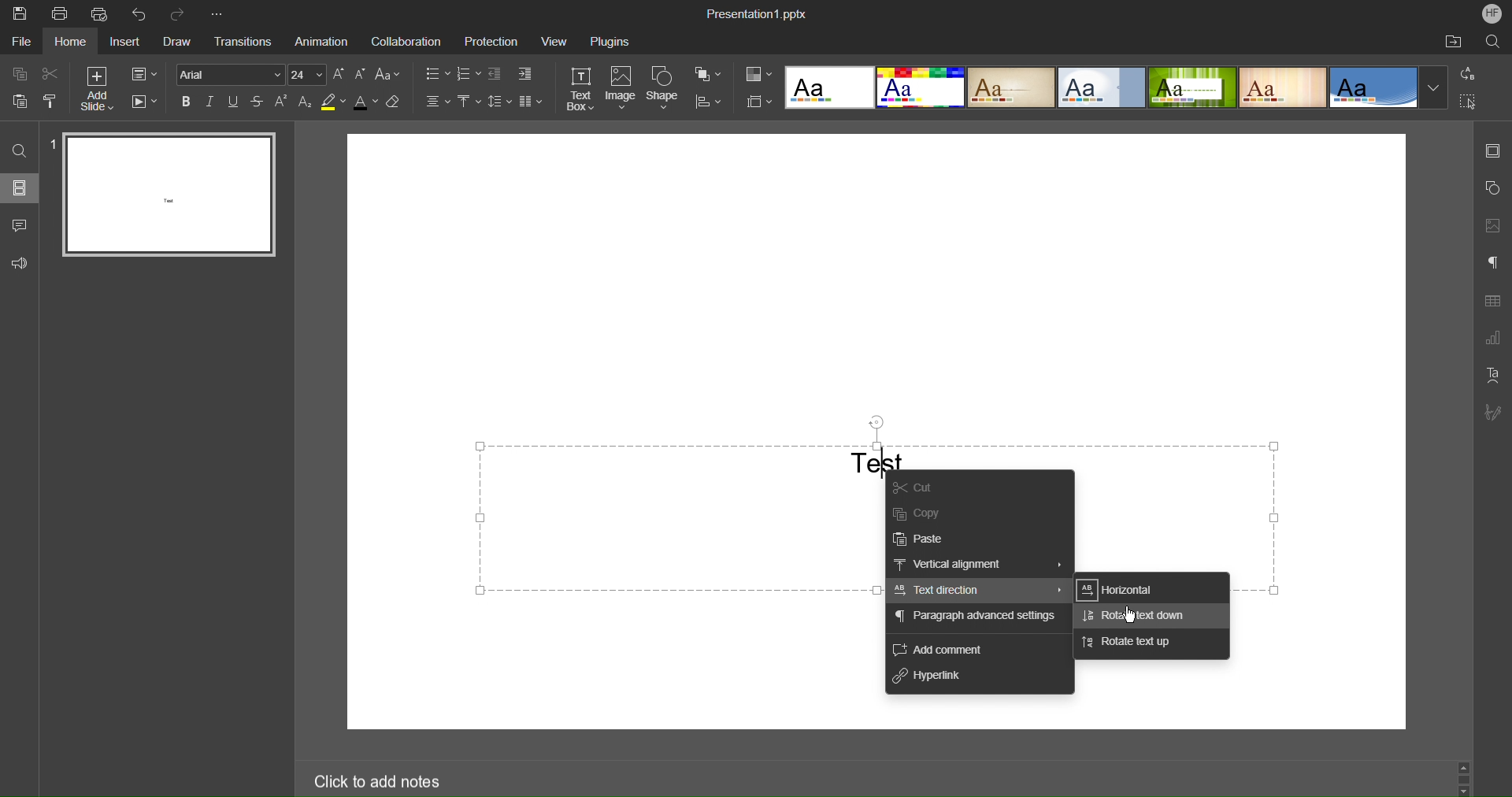 This screenshot has height=797, width=1512. Describe the element at coordinates (1492, 264) in the screenshot. I see `Paragraph Settings` at that location.